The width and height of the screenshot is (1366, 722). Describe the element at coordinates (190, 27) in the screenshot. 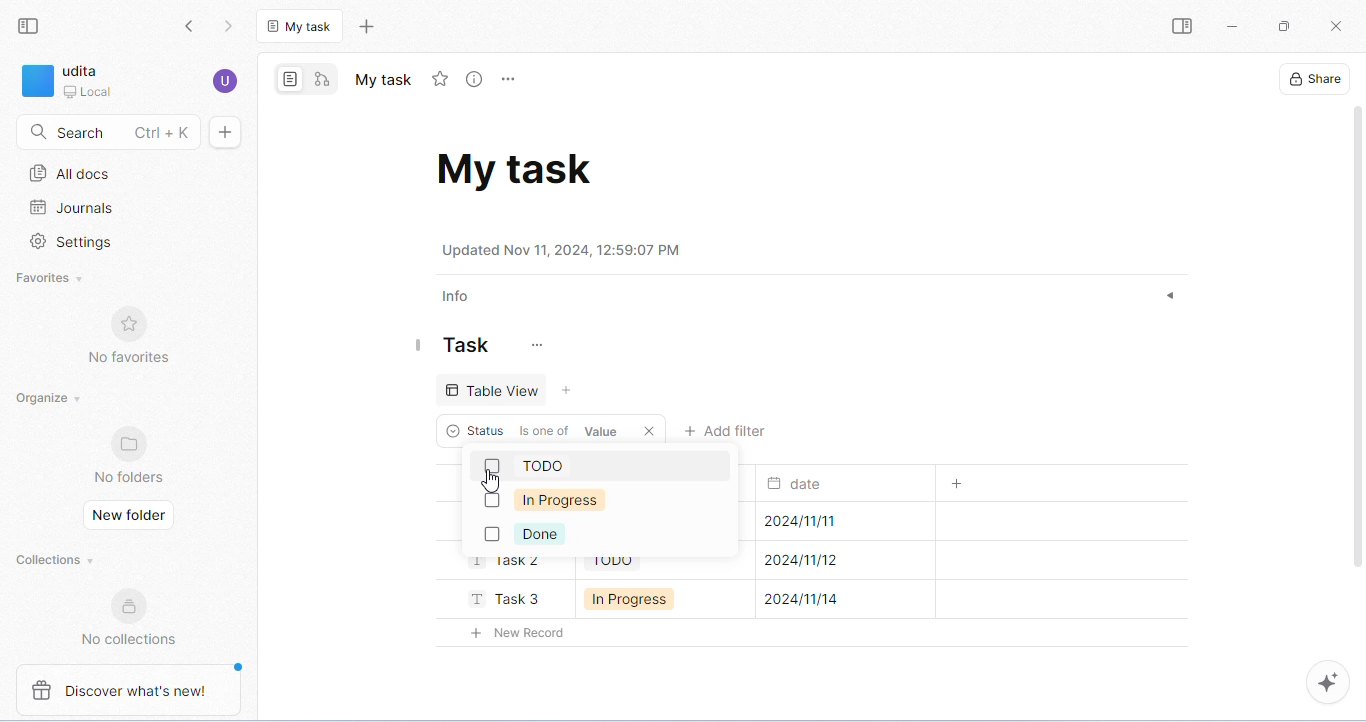

I see `go back` at that location.